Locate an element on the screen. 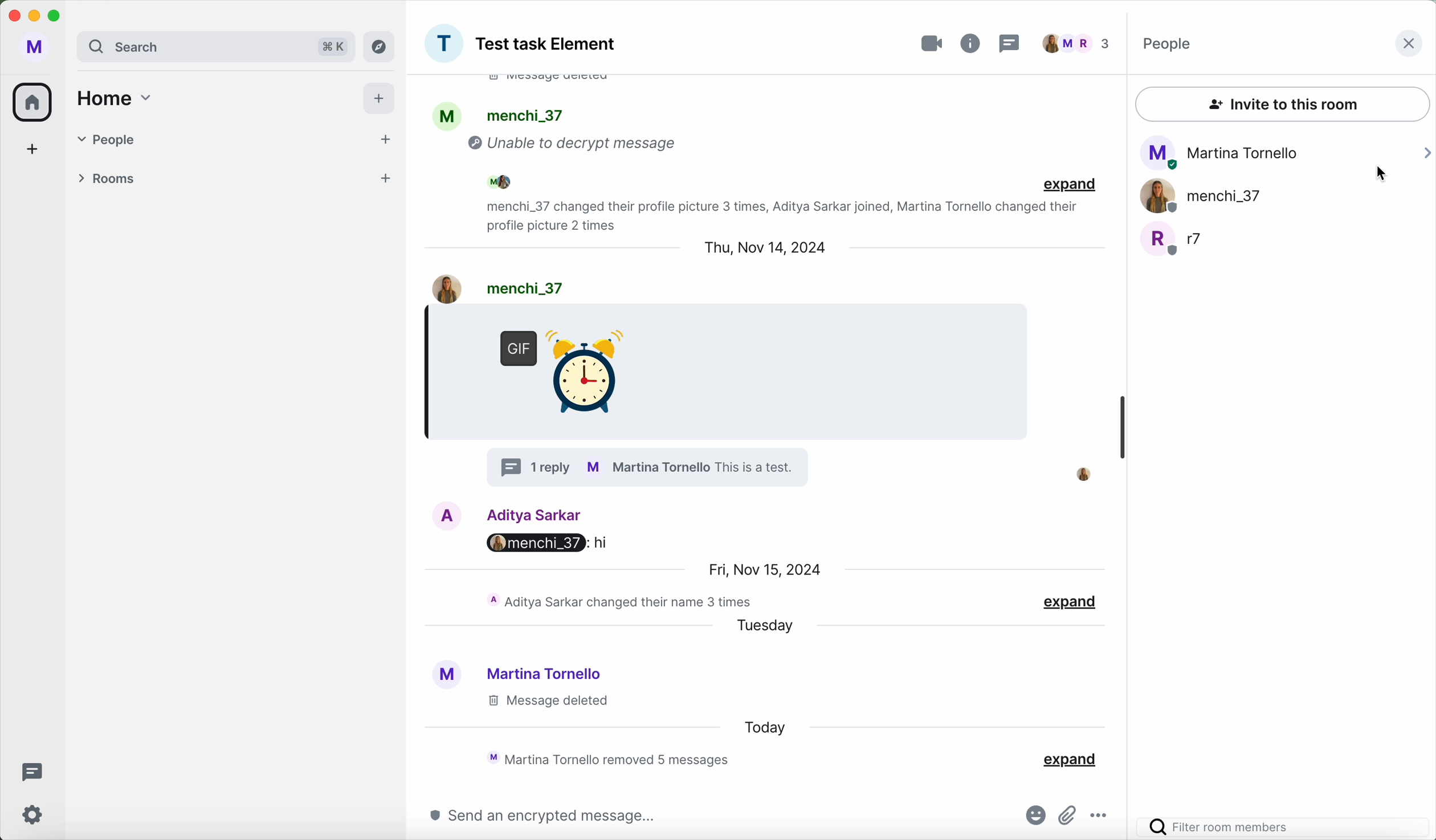 This screenshot has width=1436, height=840. Martina user is located at coordinates (546, 673).